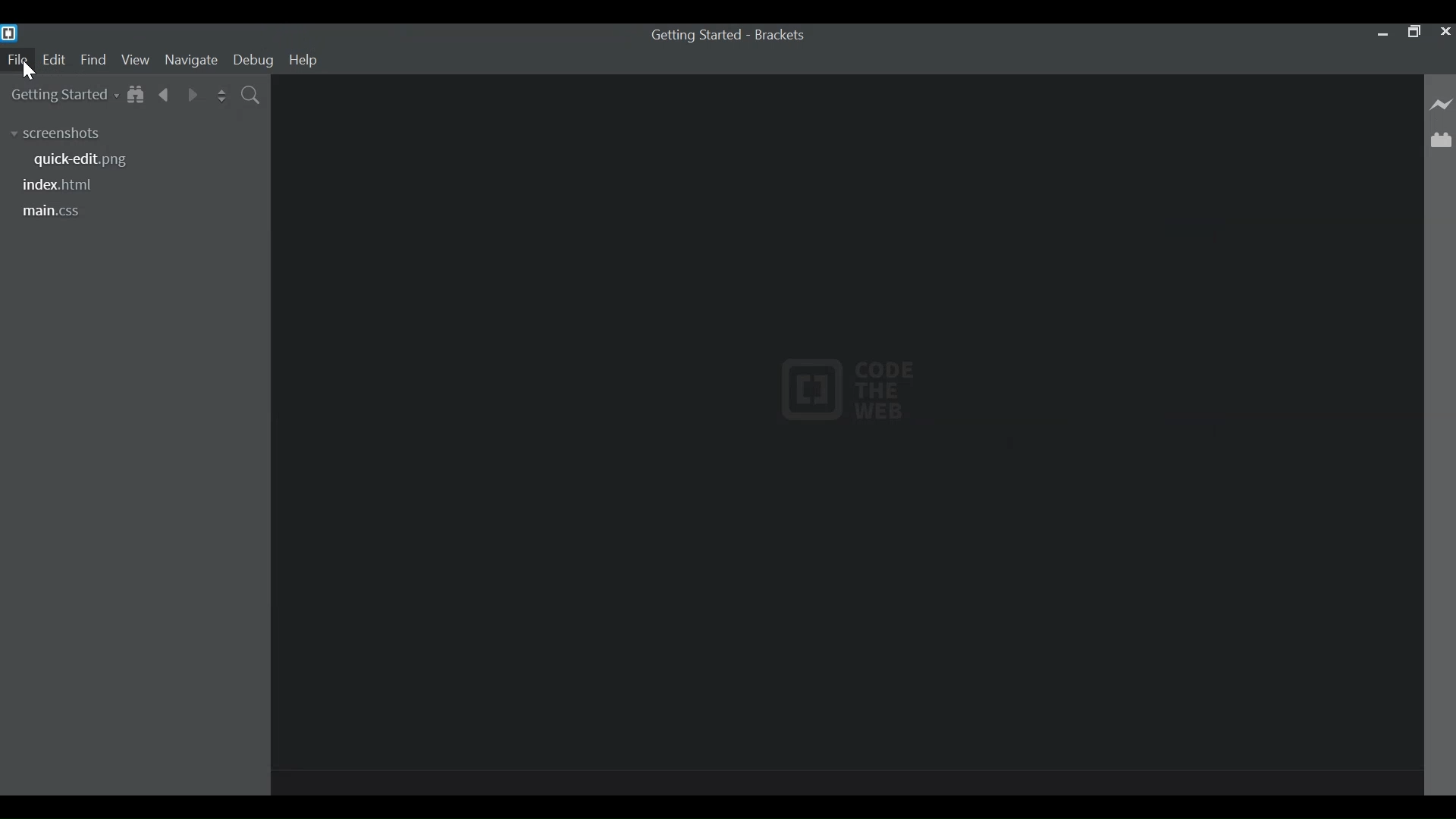  I want to click on minimize, so click(1380, 33).